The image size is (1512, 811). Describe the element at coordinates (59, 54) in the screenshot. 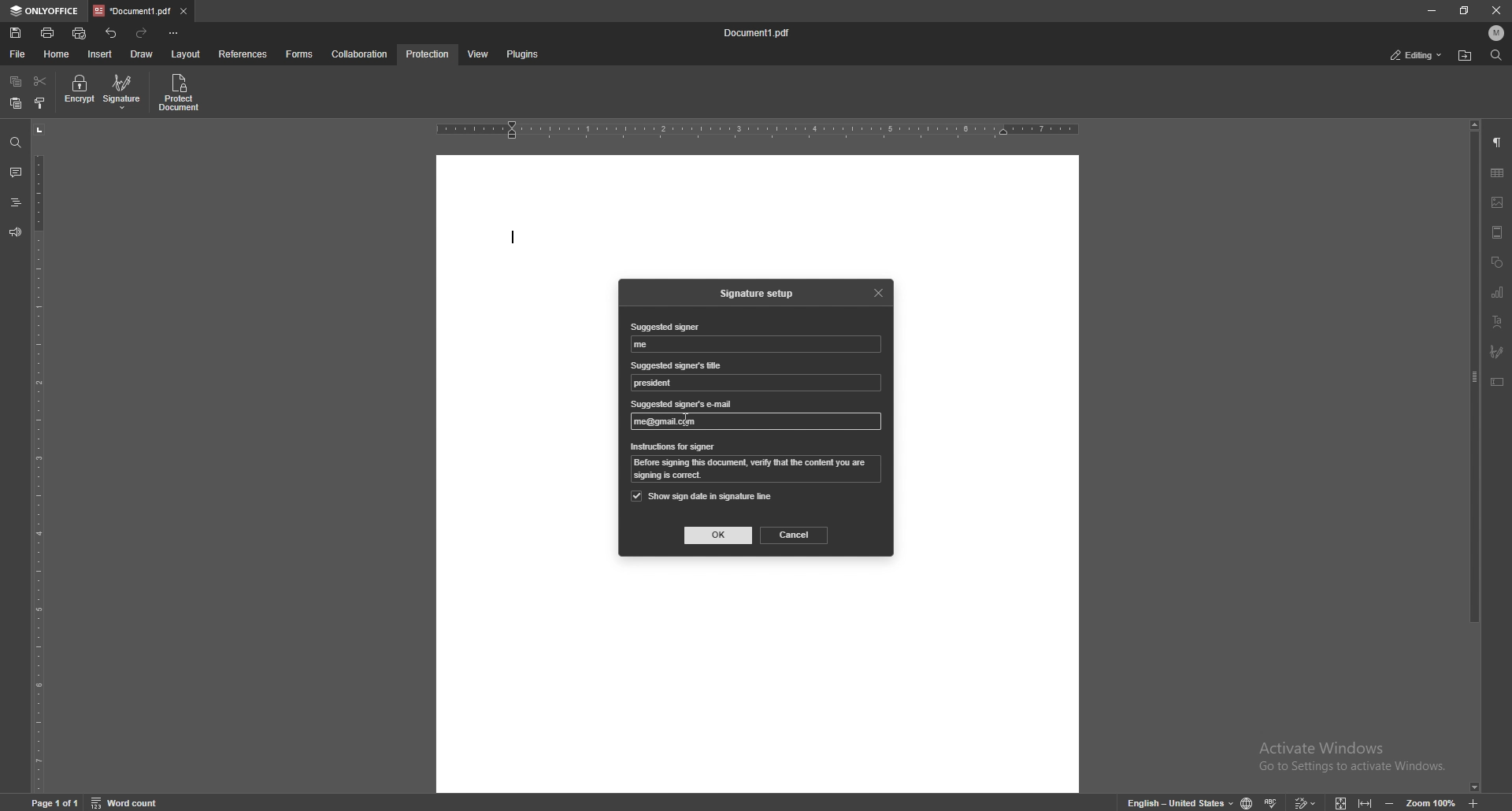

I see `home` at that location.